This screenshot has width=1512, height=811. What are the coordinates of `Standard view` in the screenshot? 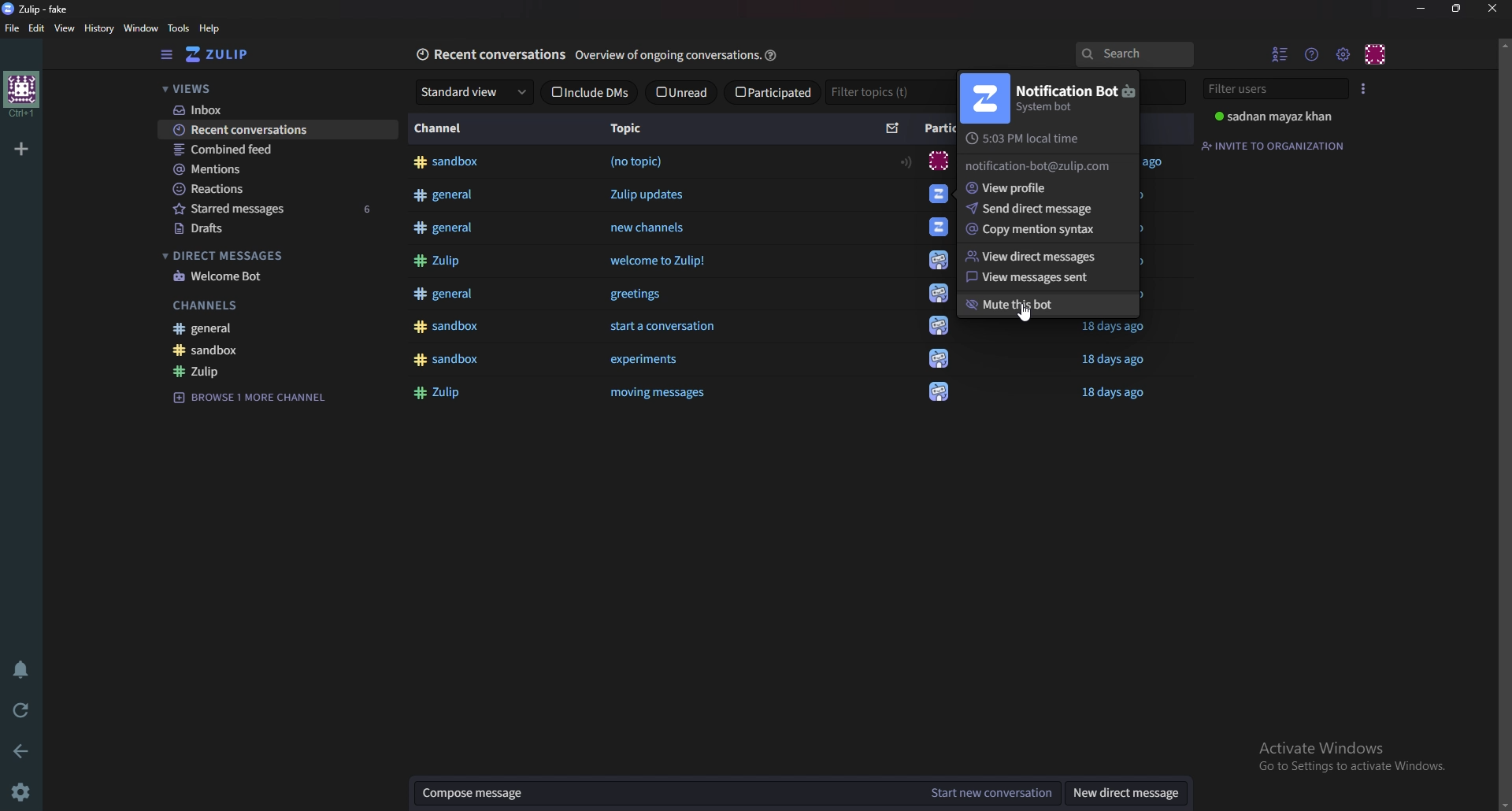 It's located at (472, 91).